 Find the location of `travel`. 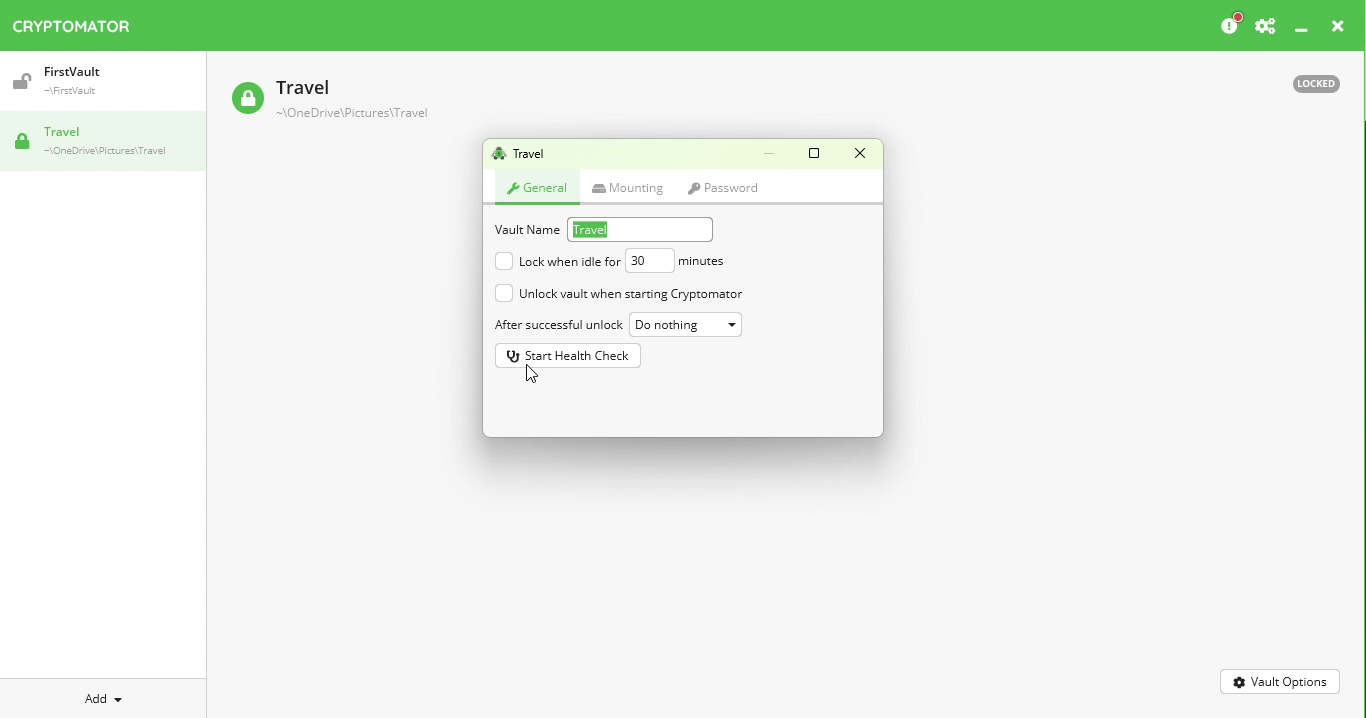

travel is located at coordinates (604, 228).